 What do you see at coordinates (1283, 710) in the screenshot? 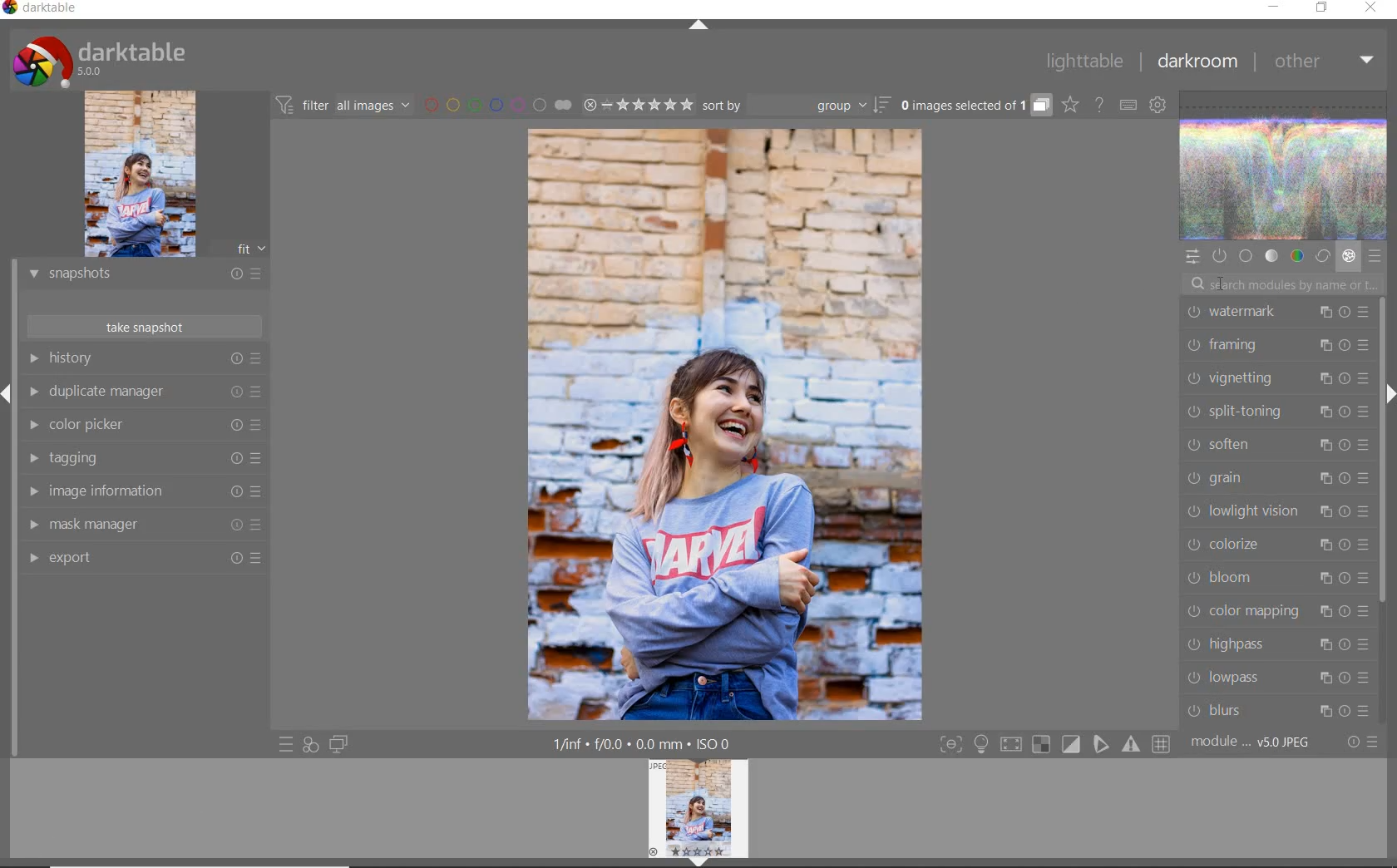
I see `blurs` at bounding box center [1283, 710].